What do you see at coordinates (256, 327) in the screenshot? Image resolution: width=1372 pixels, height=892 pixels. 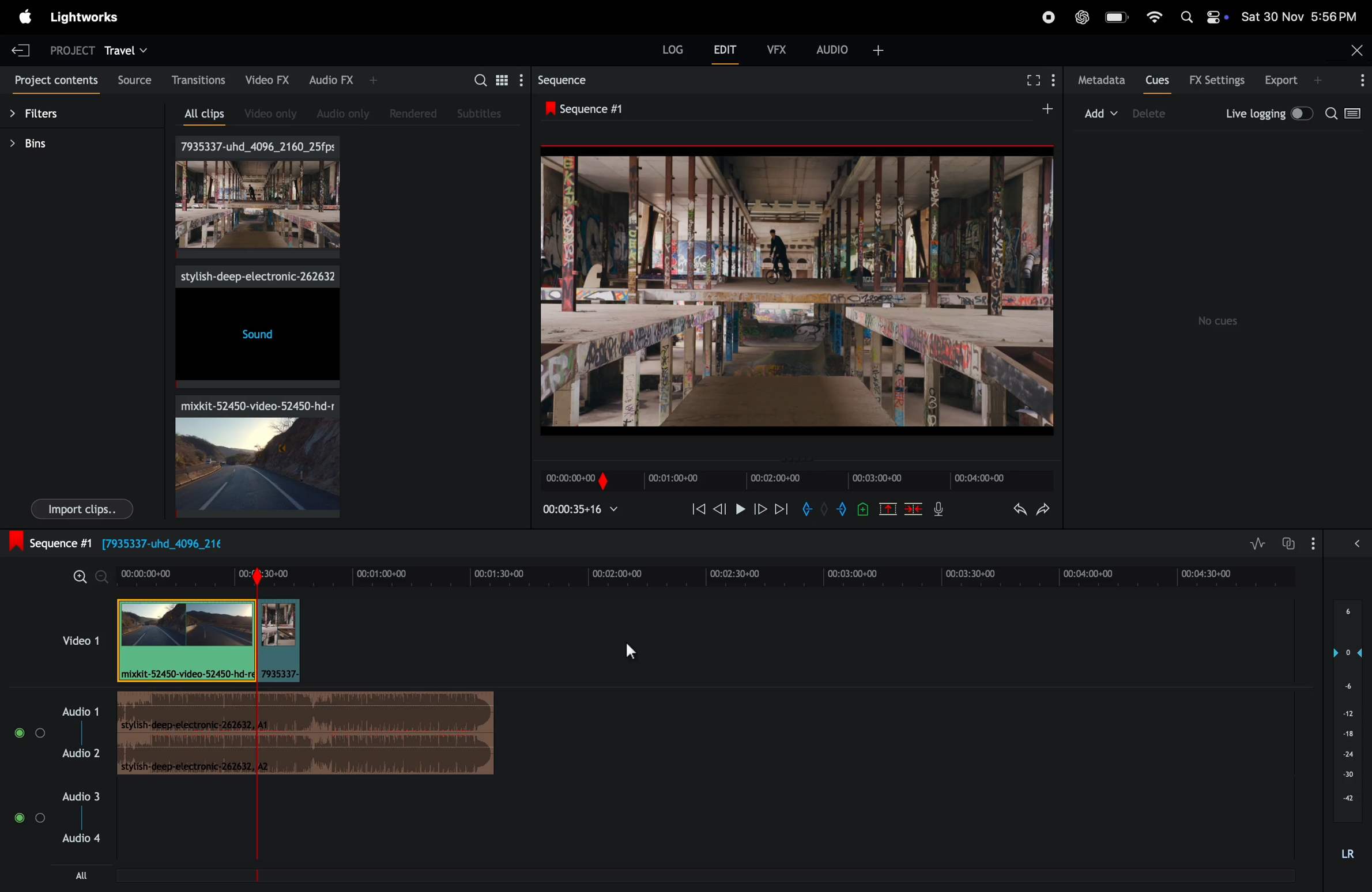 I see `sound effects` at bounding box center [256, 327].